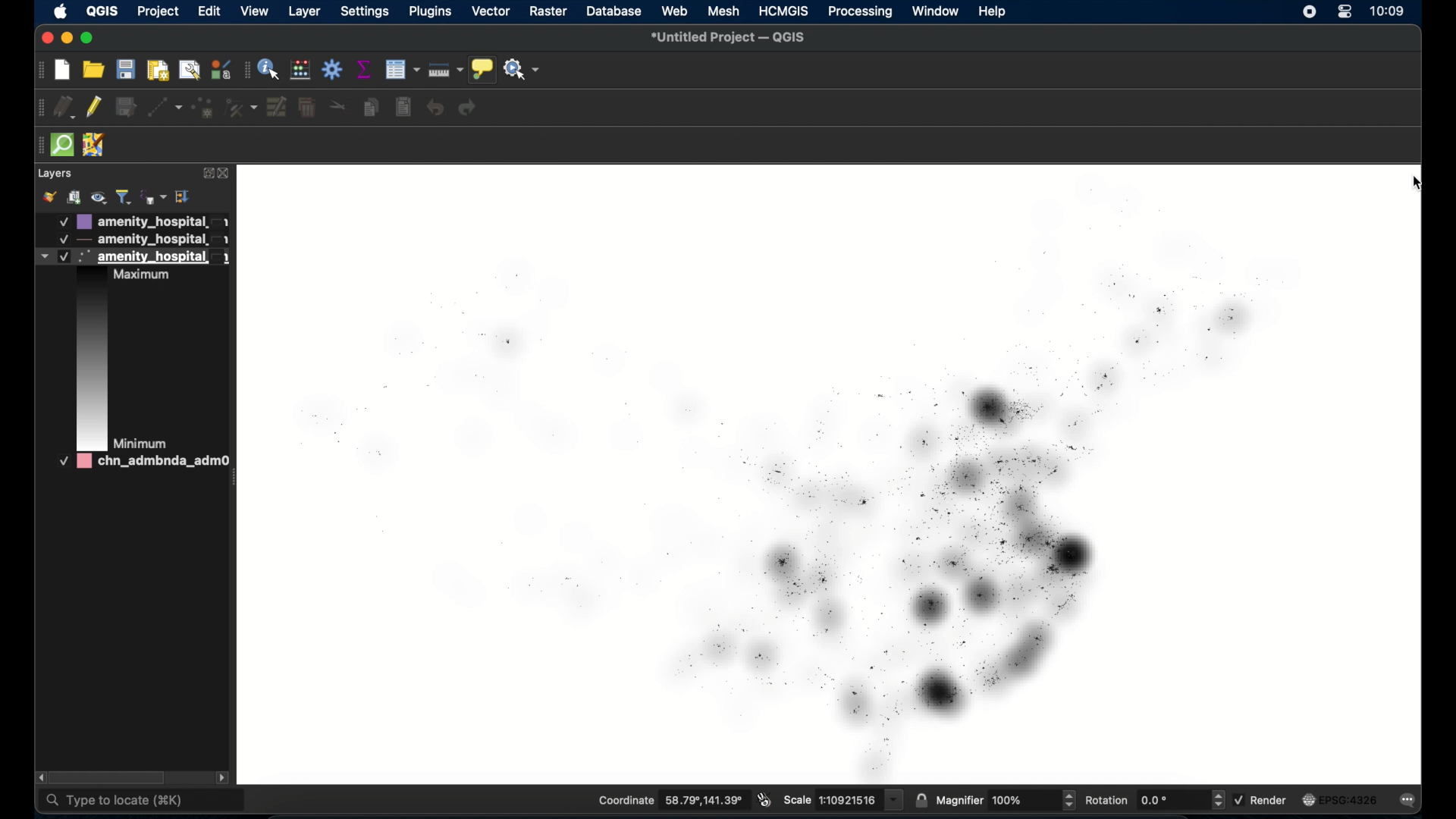 The width and height of the screenshot is (1456, 819). Describe the element at coordinates (1153, 799) in the screenshot. I see `rotation` at that location.